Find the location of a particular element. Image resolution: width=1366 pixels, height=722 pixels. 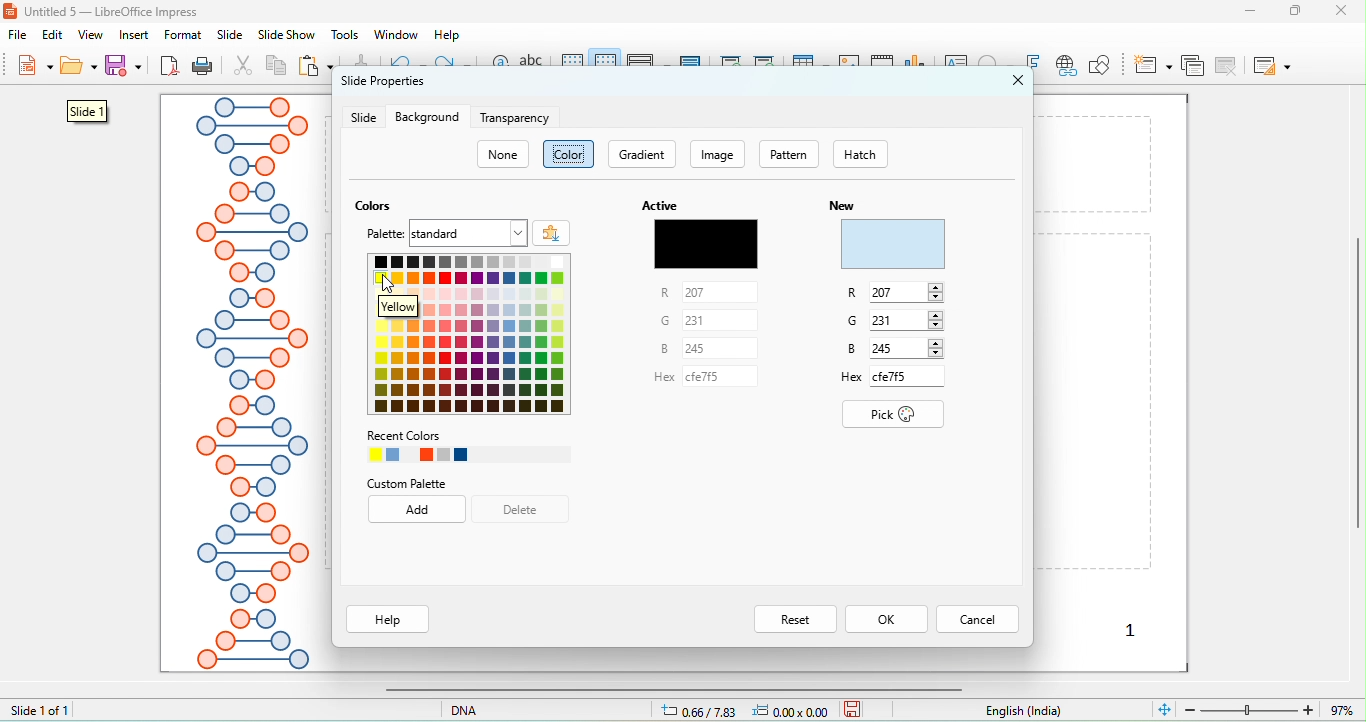

open is located at coordinates (79, 69).